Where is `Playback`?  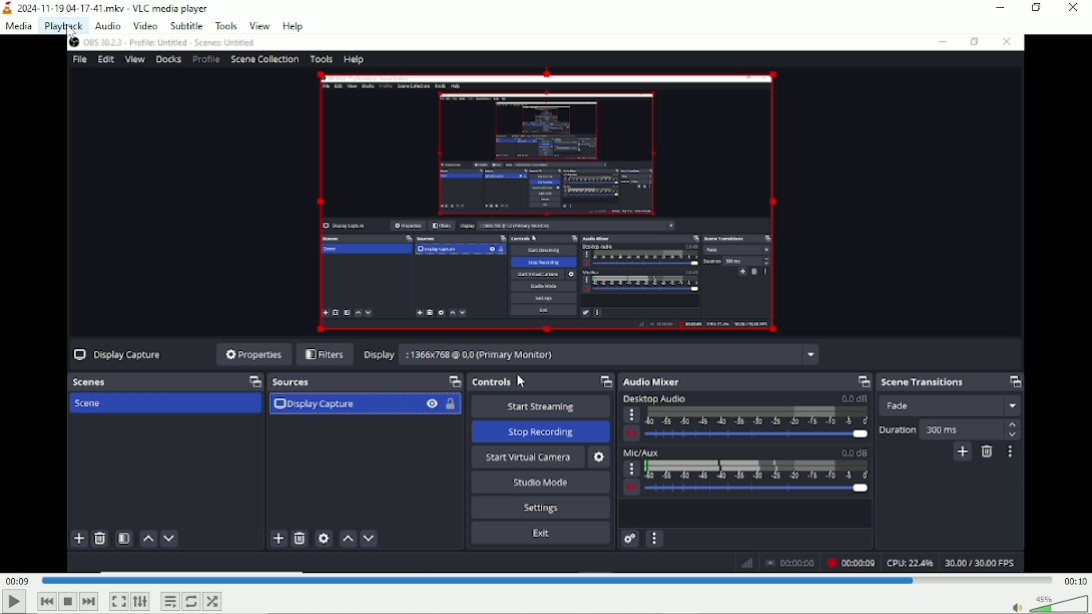
Playback is located at coordinates (62, 26).